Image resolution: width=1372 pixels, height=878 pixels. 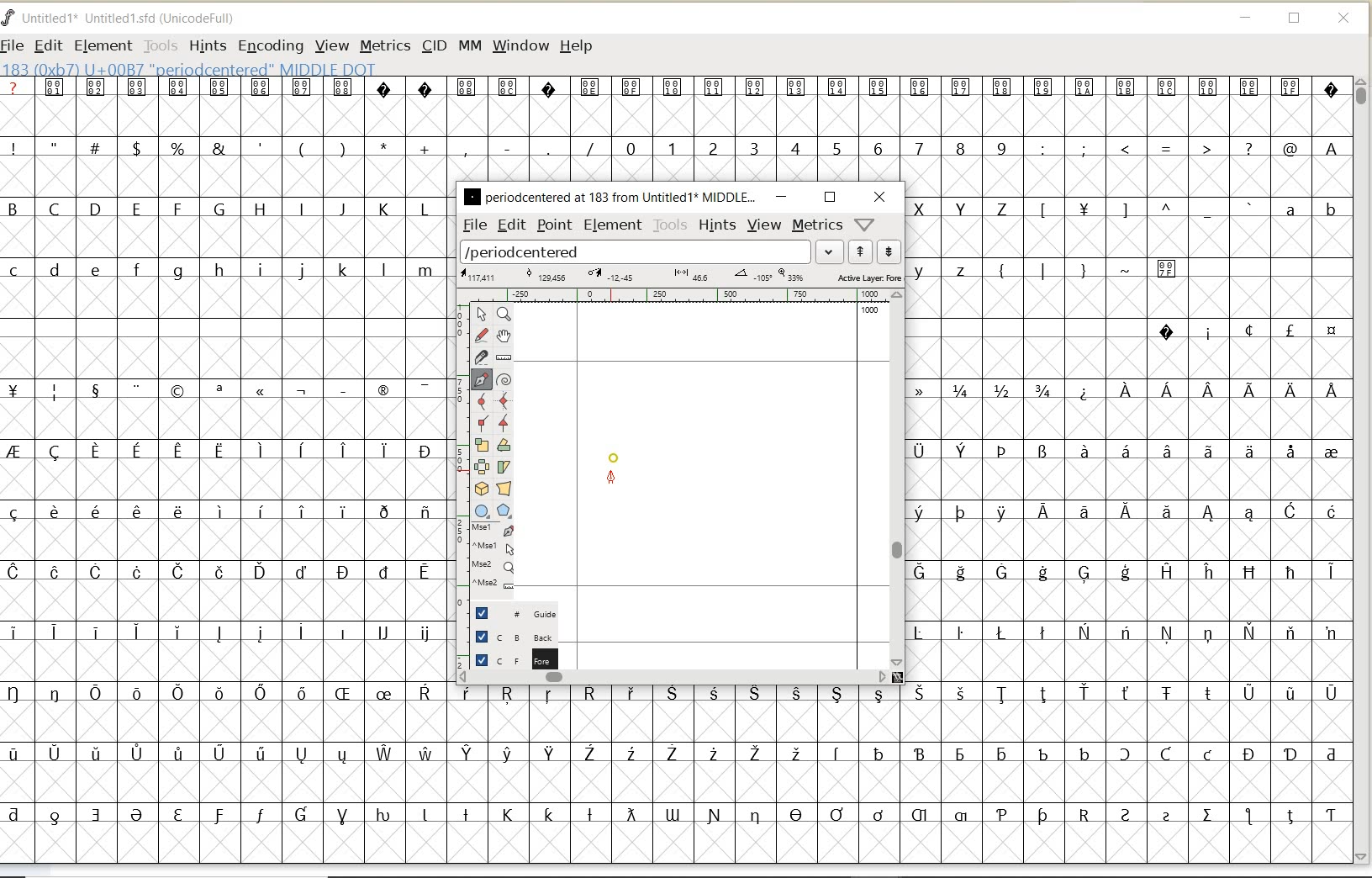 I want to click on HELP, so click(x=576, y=45).